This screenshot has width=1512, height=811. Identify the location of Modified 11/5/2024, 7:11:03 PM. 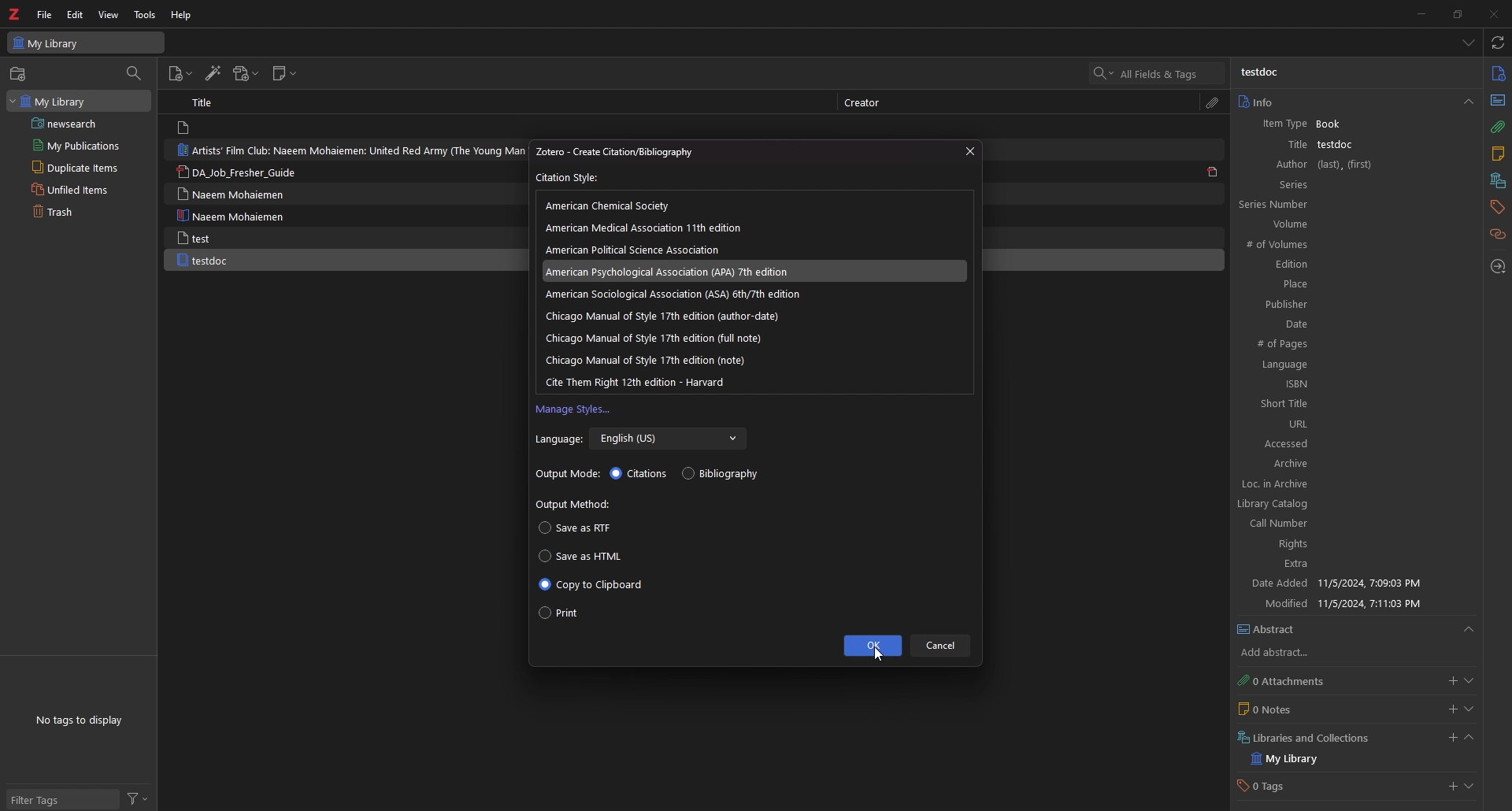
(1353, 603).